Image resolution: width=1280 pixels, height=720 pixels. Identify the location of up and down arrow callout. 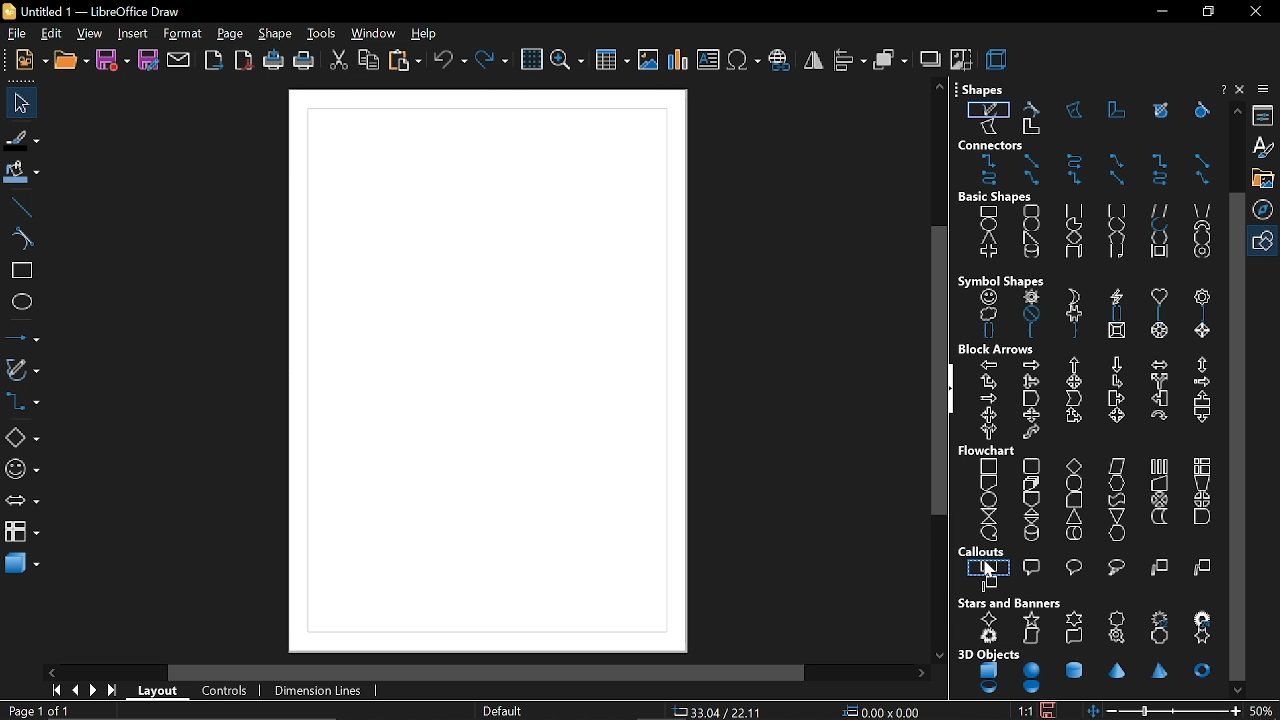
(1029, 417).